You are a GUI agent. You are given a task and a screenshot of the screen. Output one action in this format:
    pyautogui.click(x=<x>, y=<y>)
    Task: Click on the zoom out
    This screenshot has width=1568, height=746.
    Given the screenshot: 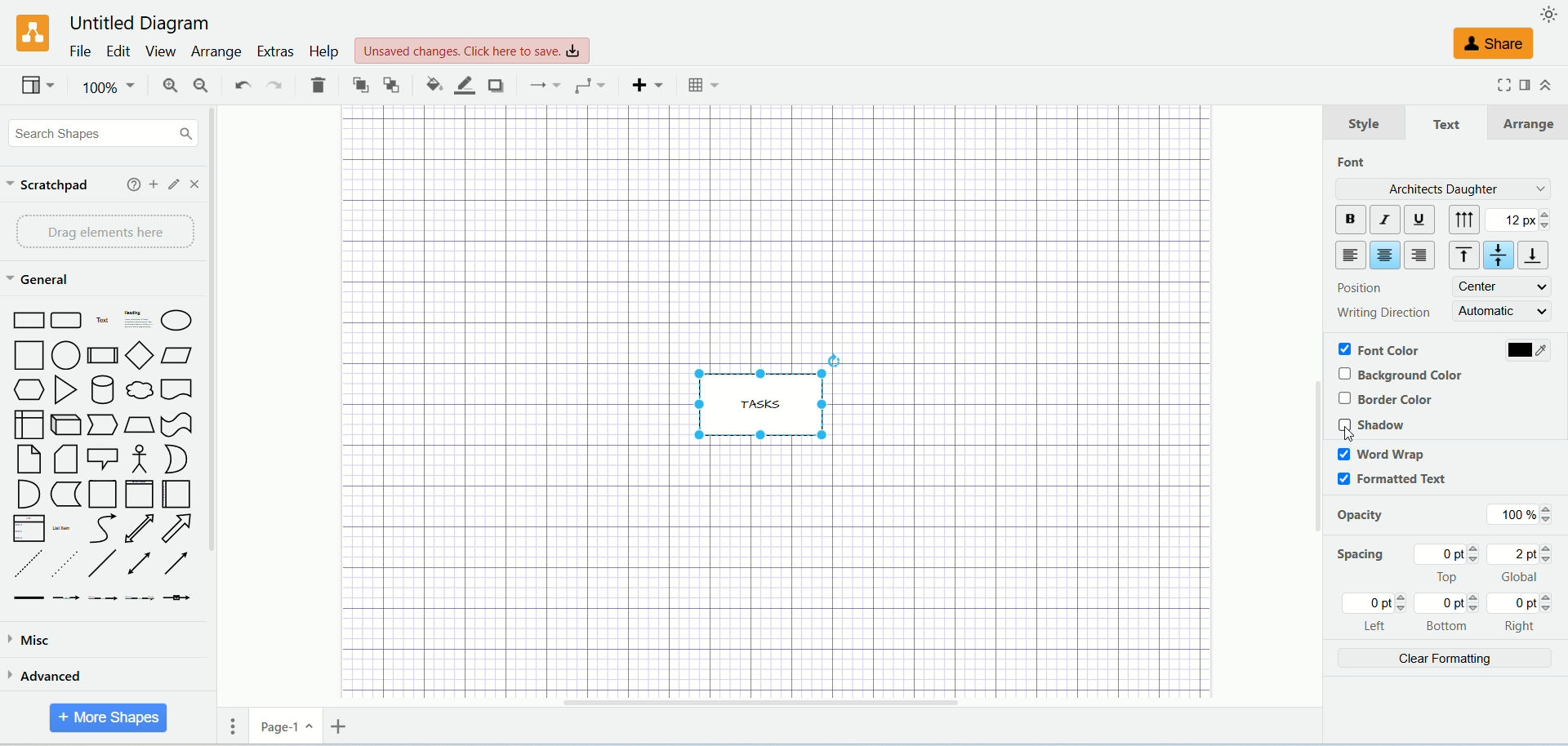 What is the action you would take?
    pyautogui.click(x=198, y=85)
    